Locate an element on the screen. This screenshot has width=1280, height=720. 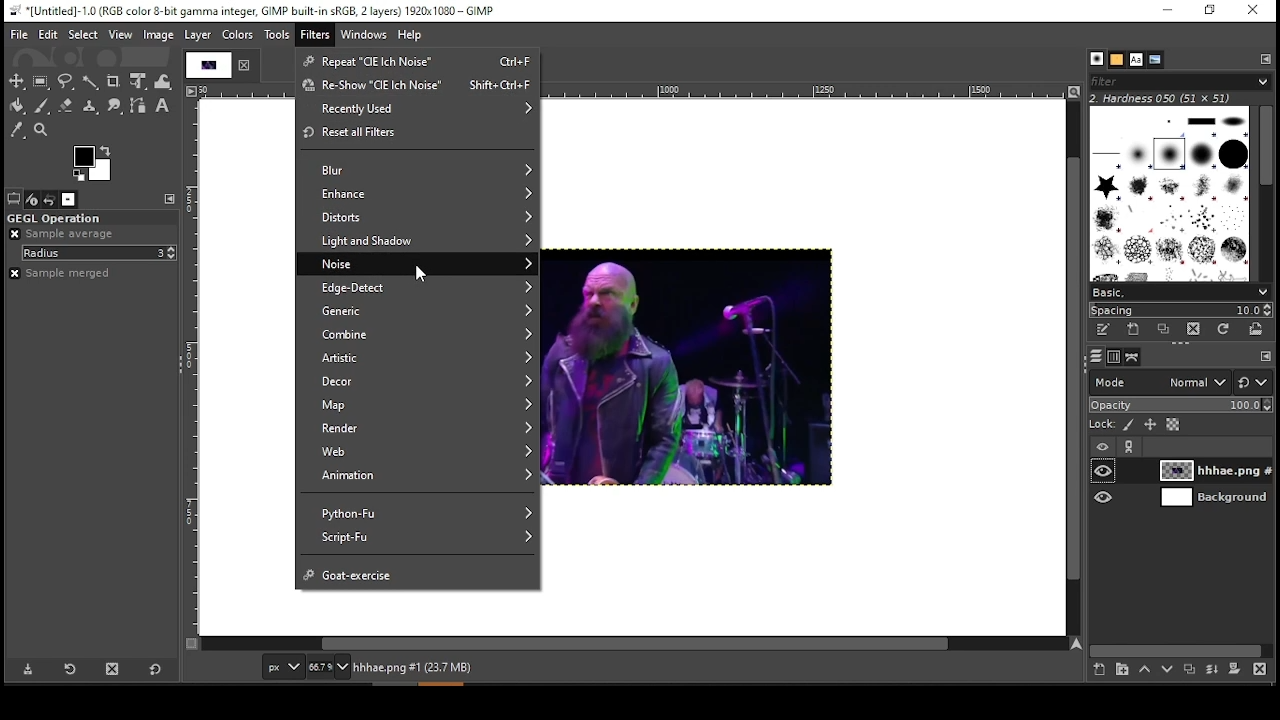
lock pixels is located at coordinates (1126, 425).